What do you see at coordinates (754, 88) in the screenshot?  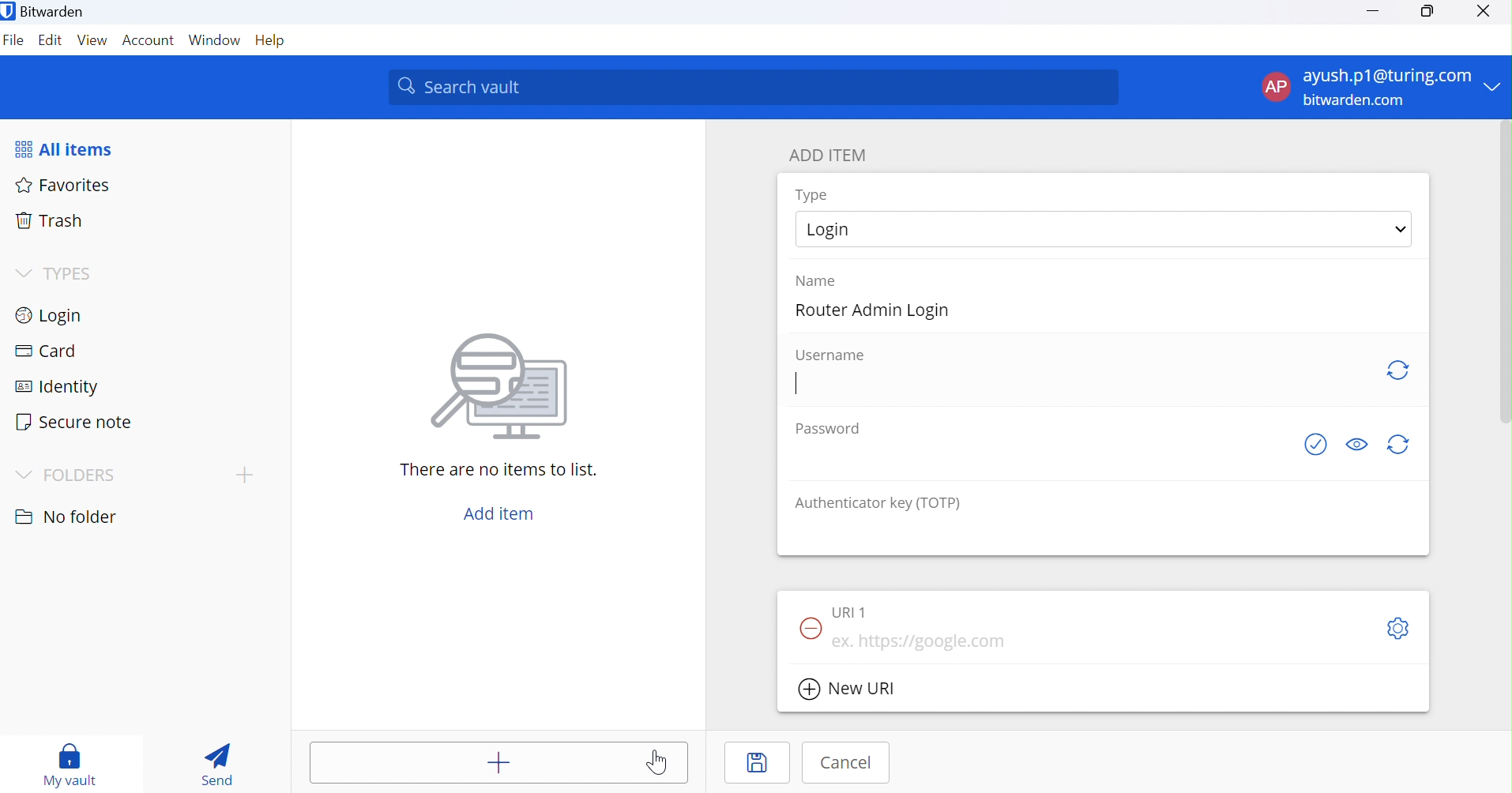 I see `Search vaiut` at bounding box center [754, 88].